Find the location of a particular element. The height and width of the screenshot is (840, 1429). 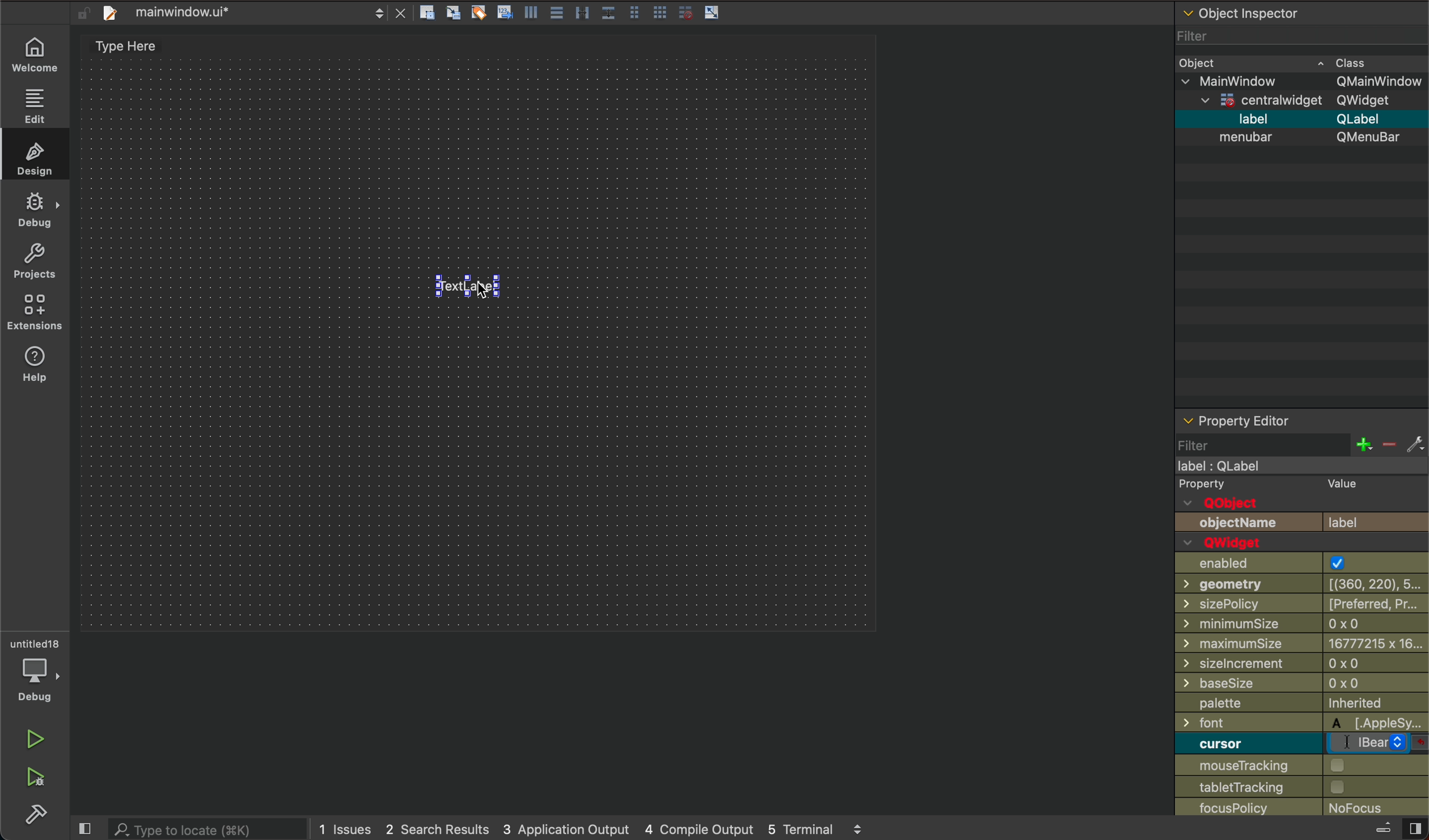

checkbox is located at coordinates (1347, 766).